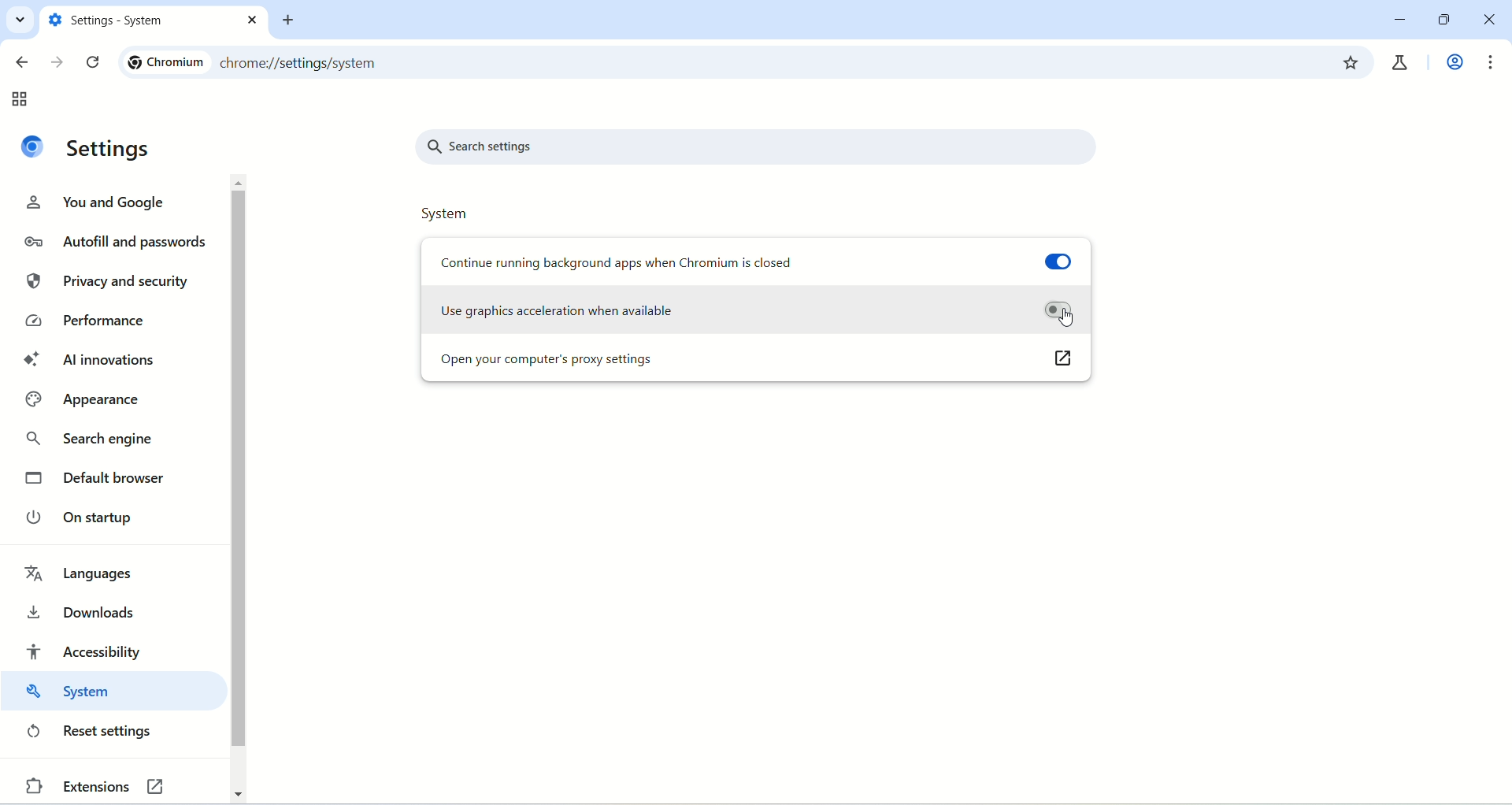 The width and height of the screenshot is (1512, 805). Describe the element at coordinates (35, 147) in the screenshot. I see `logo` at that location.